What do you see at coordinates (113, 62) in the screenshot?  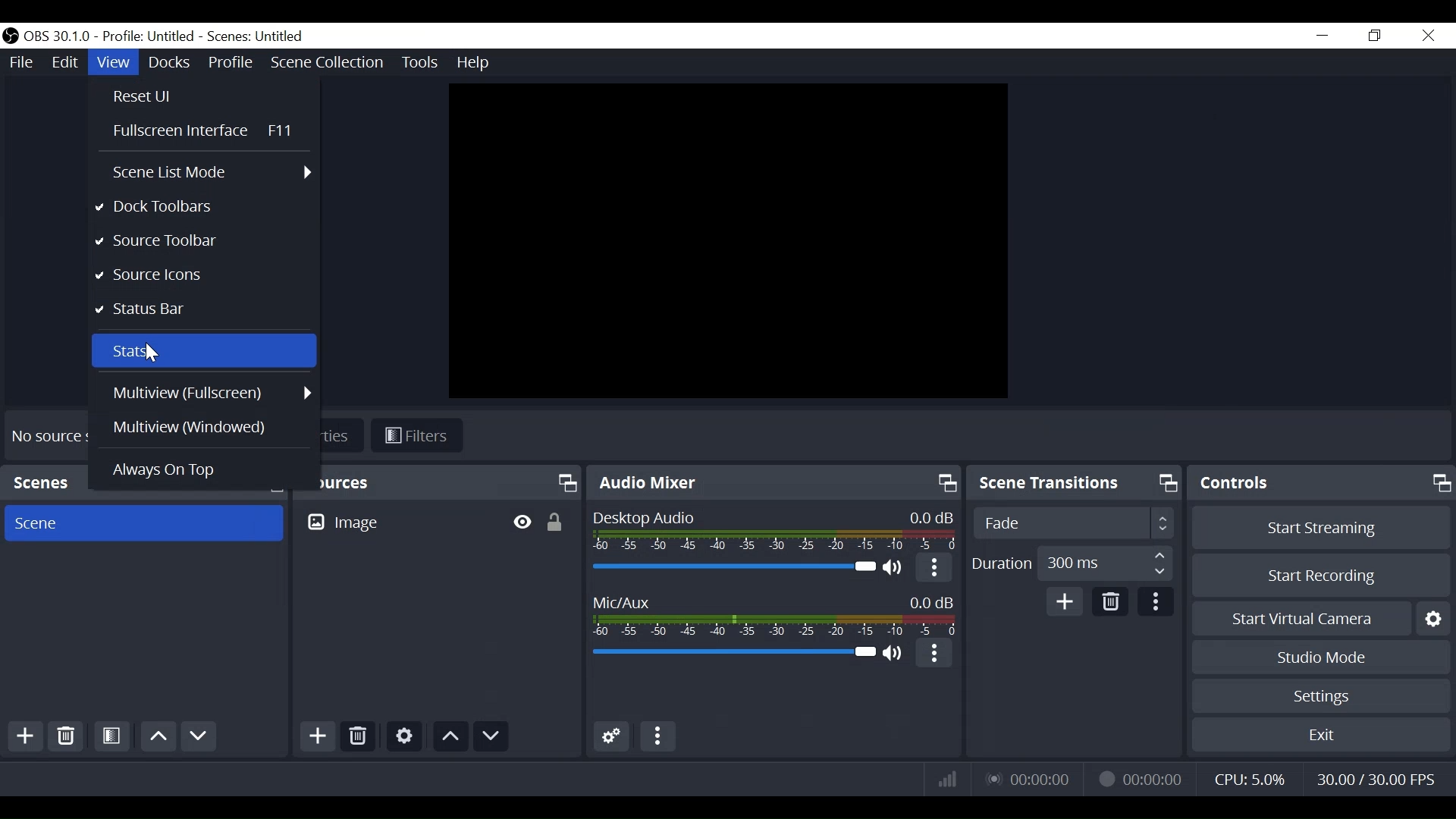 I see `View` at bounding box center [113, 62].